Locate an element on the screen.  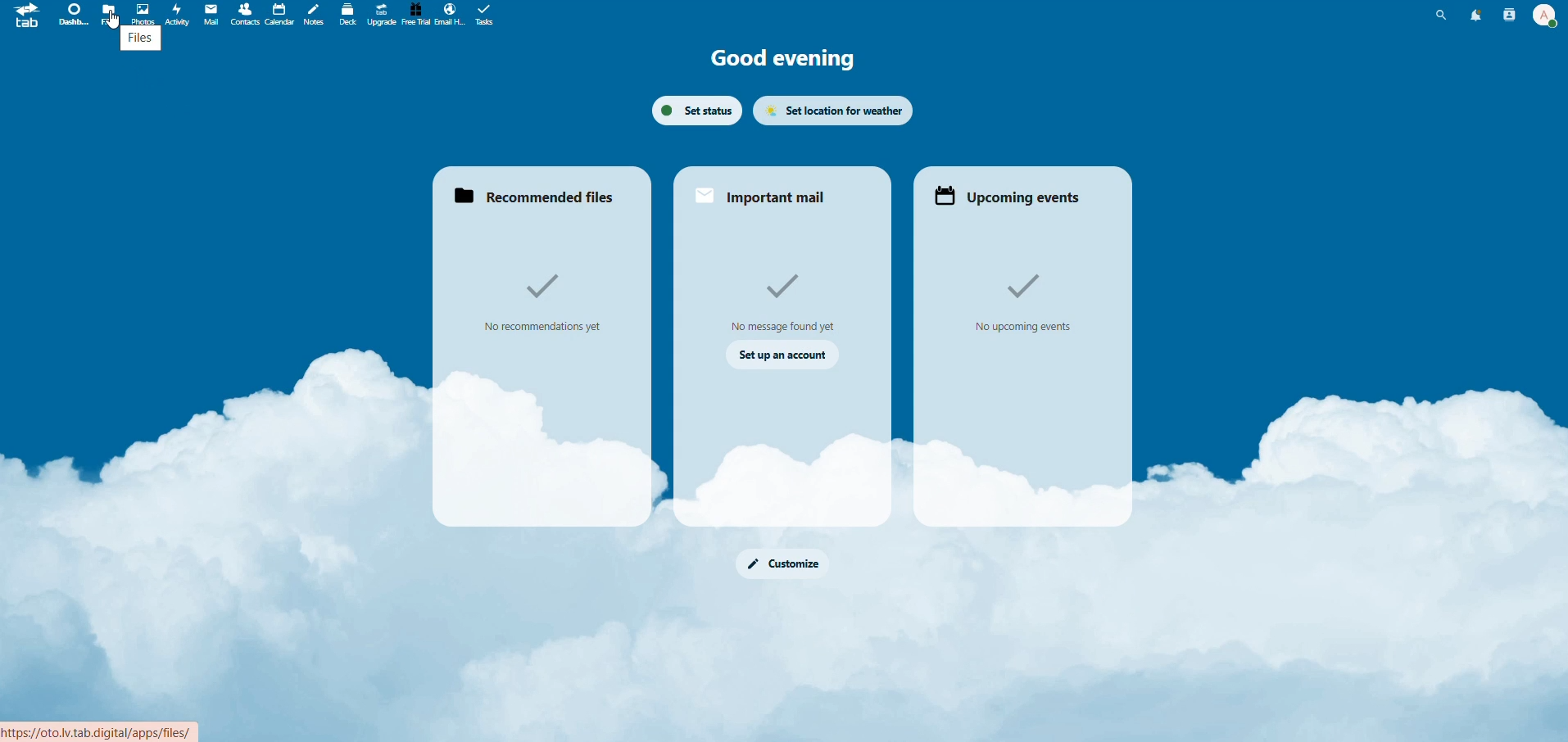
file is located at coordinates (110, 13).